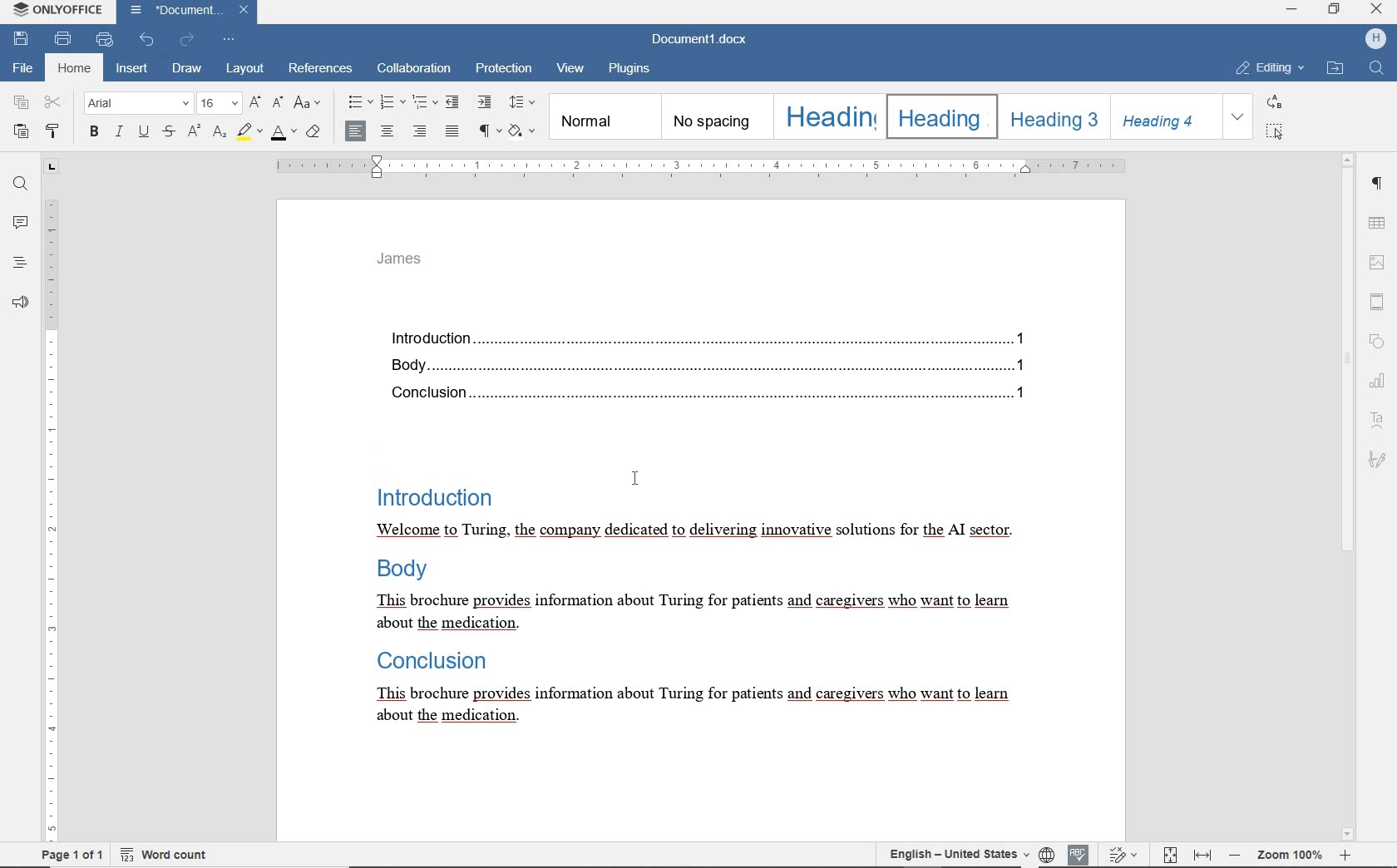 This screenshot has width=1397, height=868. I want to click on fit to page, so click(1171, 856).